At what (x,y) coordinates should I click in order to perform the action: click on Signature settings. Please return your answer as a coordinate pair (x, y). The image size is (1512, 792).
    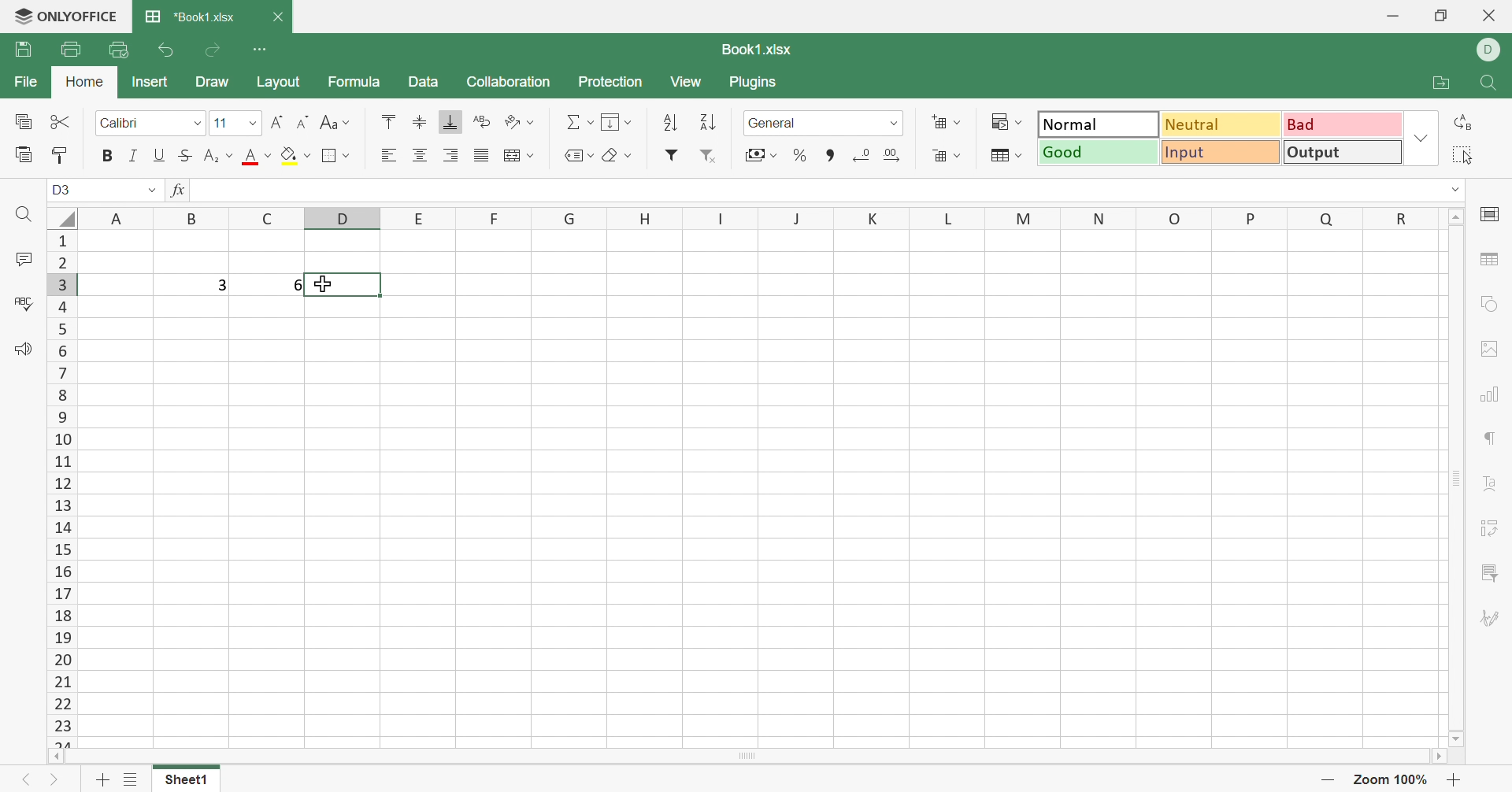
    Looking at the image, I should click on (1492, 620).